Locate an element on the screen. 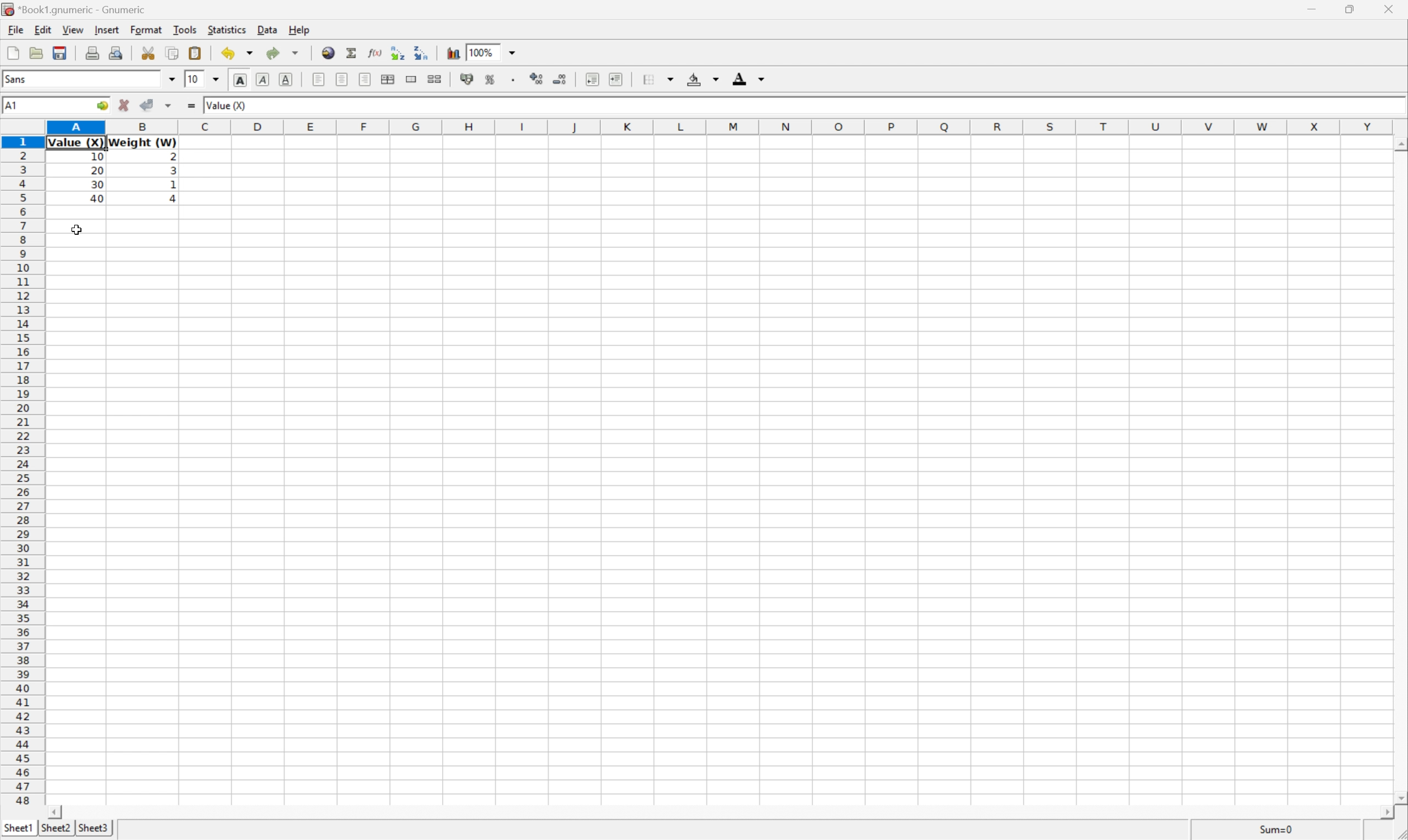  Scroll Right is located at coordinates (1383, 812).